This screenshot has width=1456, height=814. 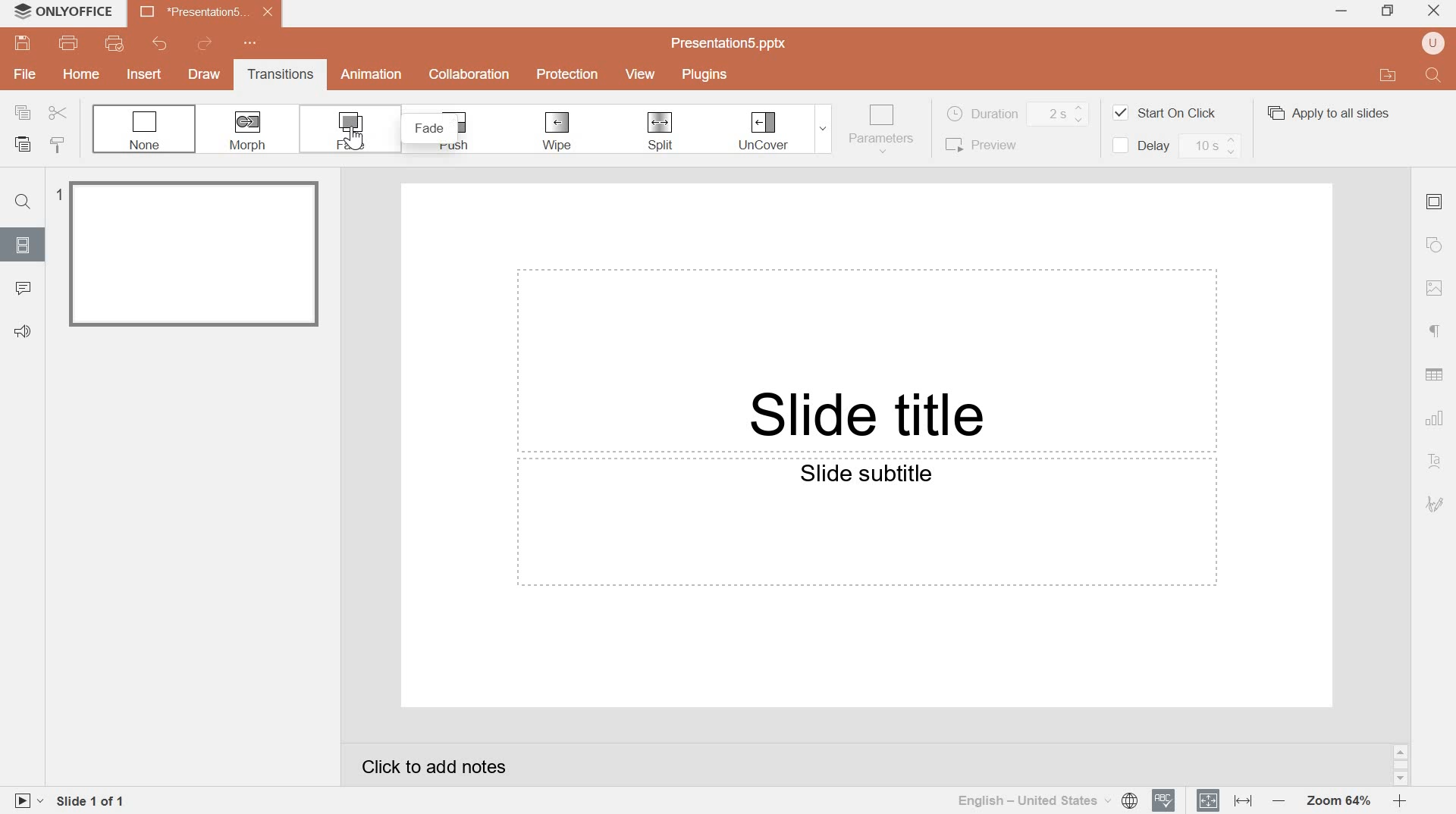 What do you see at coordinates (1434, 374) in the screenshot?
I see `Table settings` at bounding box center [1434, 374].